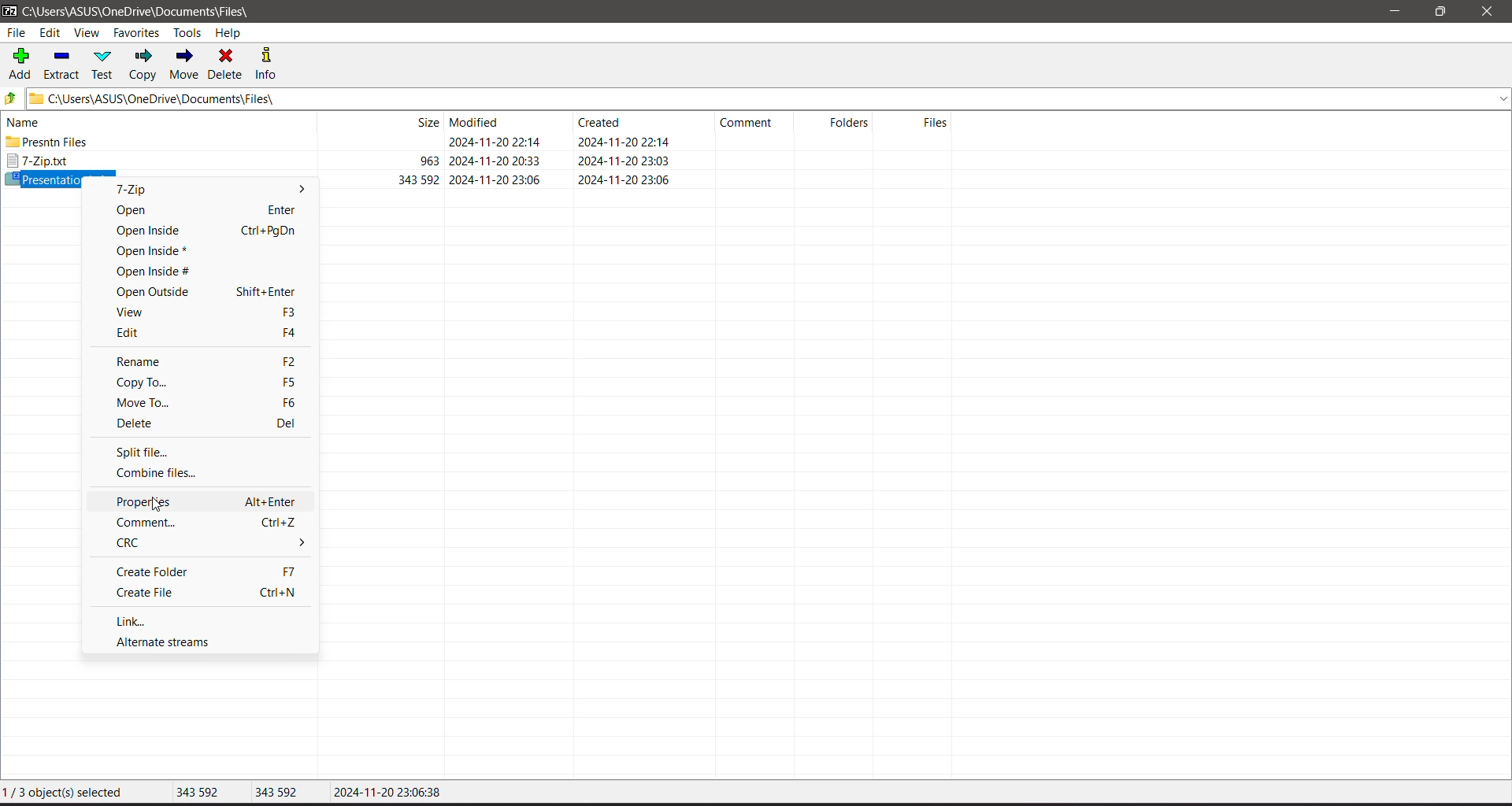  Describe the element at coordinates (228, 33) in the screenshot. I see `Help` at that location.